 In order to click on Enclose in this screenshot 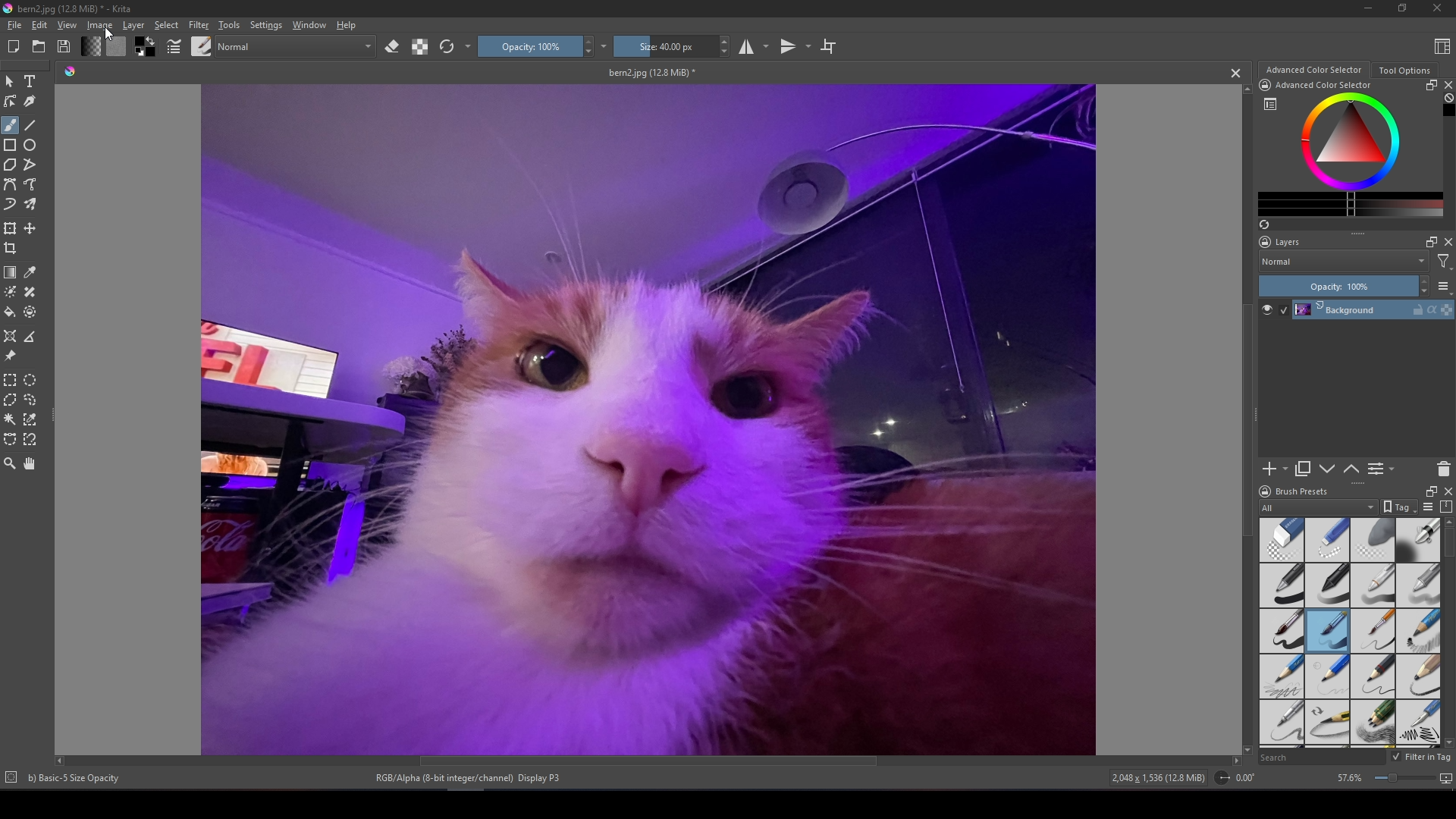, I will do `click(30, 312)`.